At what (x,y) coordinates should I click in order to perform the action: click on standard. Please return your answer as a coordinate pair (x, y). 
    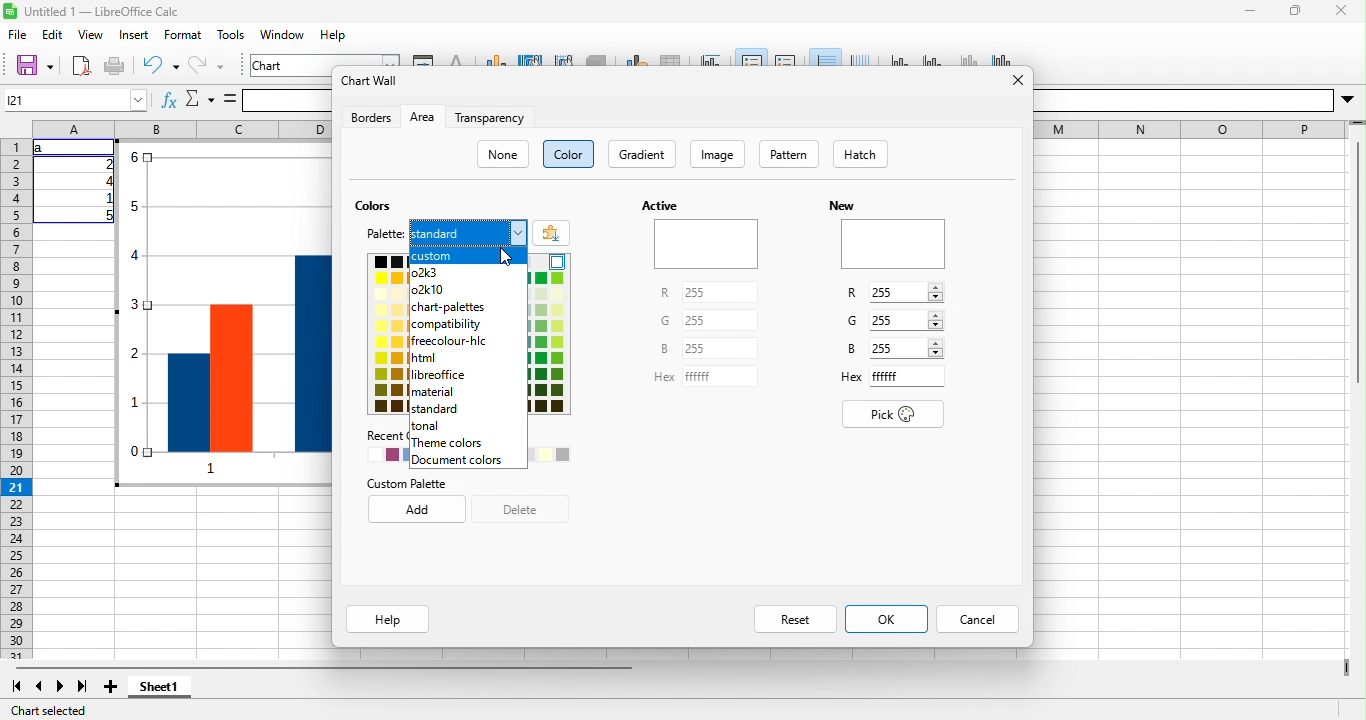
    Looking at the image, I should click on (468, 409).